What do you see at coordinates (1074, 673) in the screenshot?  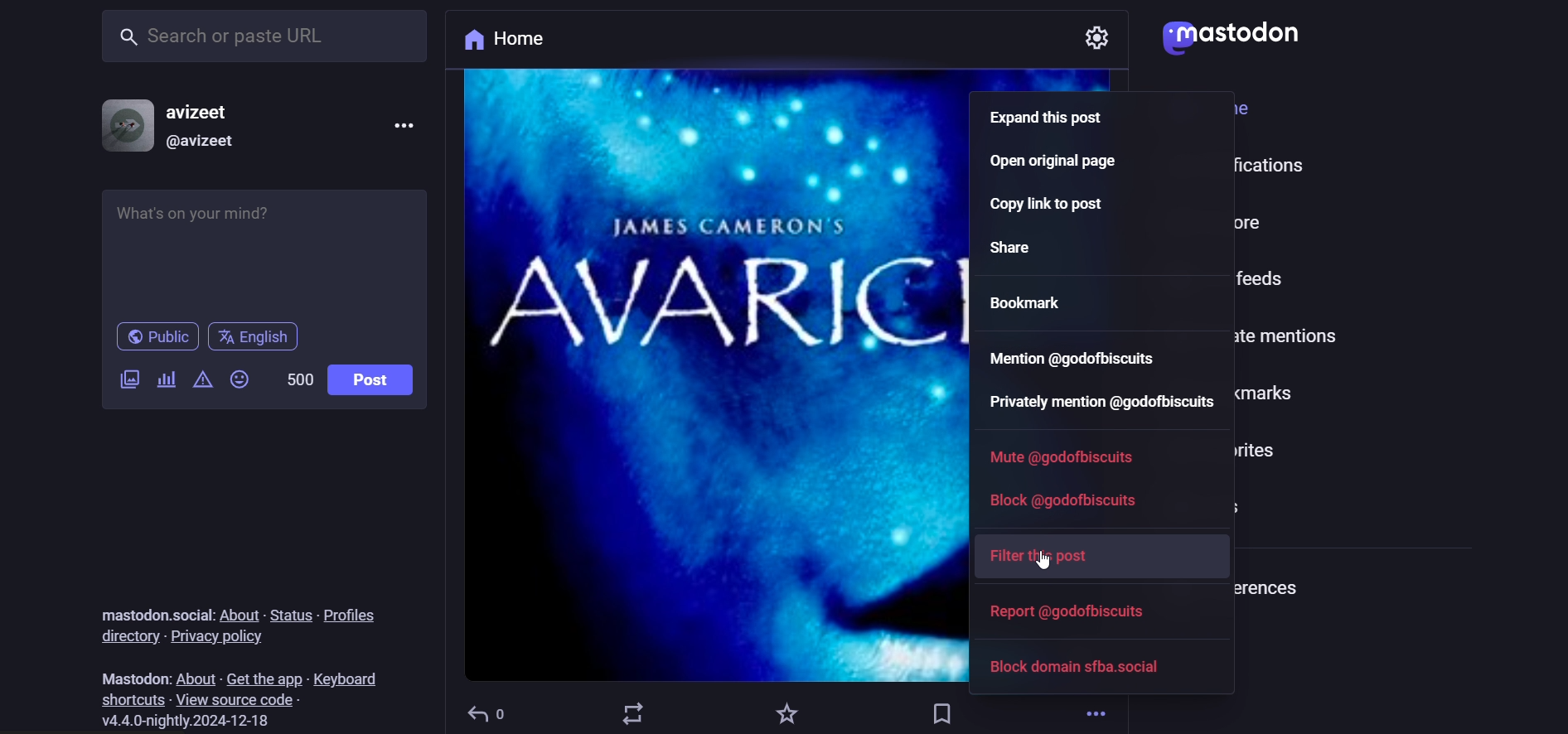 I see `block domain` at bounding box center [1074, 673].